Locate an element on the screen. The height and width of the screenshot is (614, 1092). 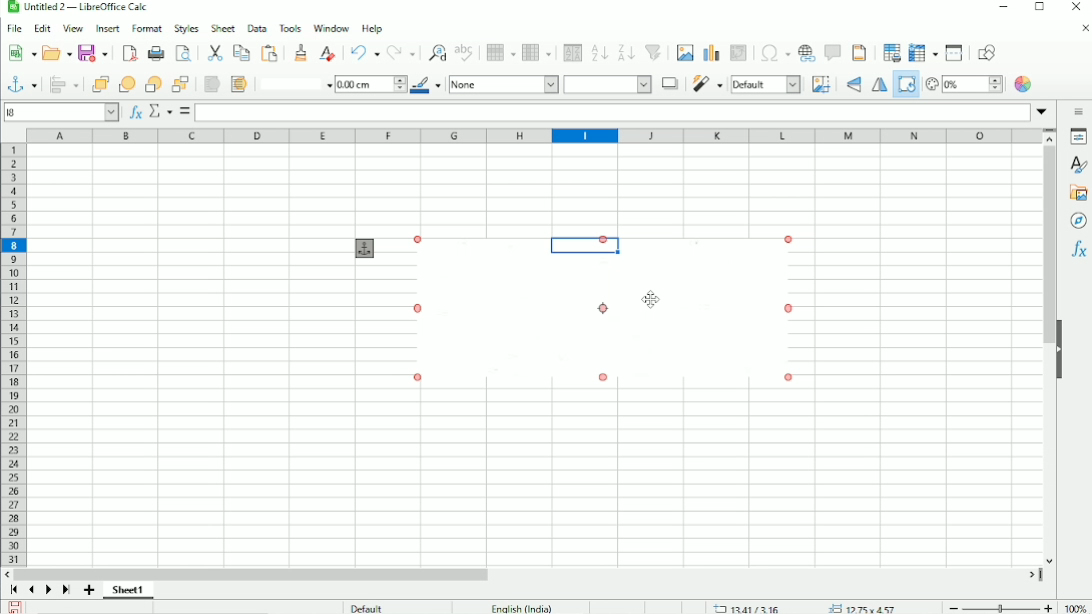
Functions is located at coordinates (1077, 250).